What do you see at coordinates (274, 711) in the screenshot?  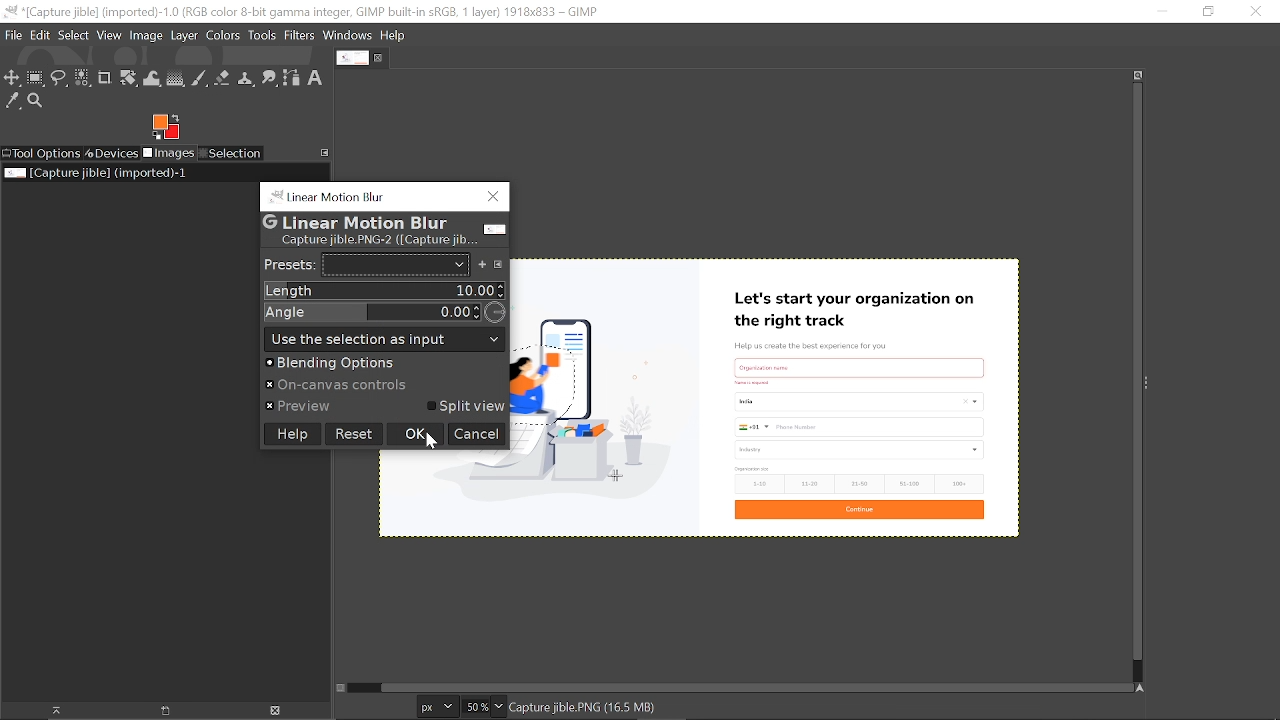 I see `Delete` at bounding box center [274, 711].